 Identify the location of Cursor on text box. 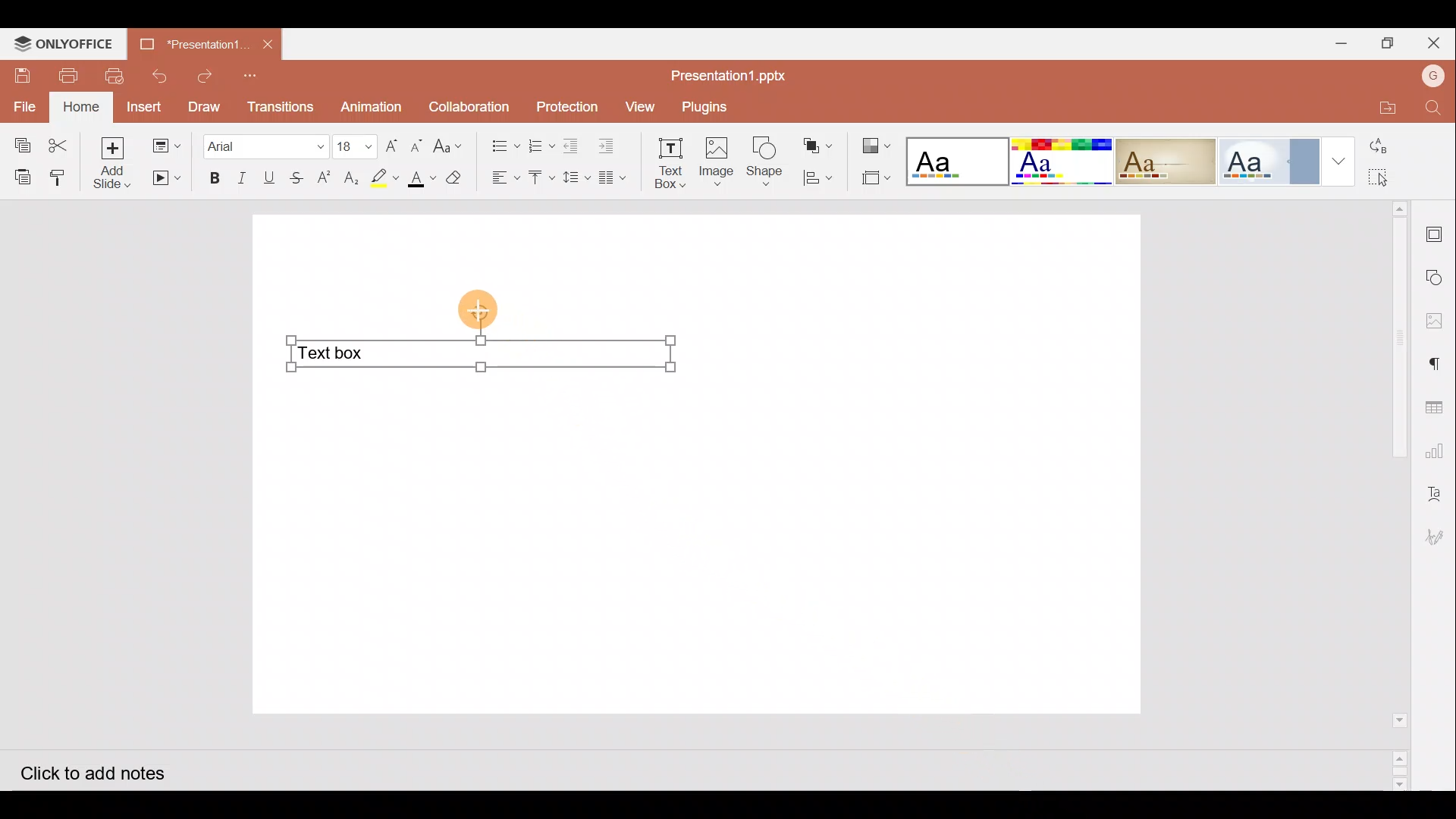
(483, 309).